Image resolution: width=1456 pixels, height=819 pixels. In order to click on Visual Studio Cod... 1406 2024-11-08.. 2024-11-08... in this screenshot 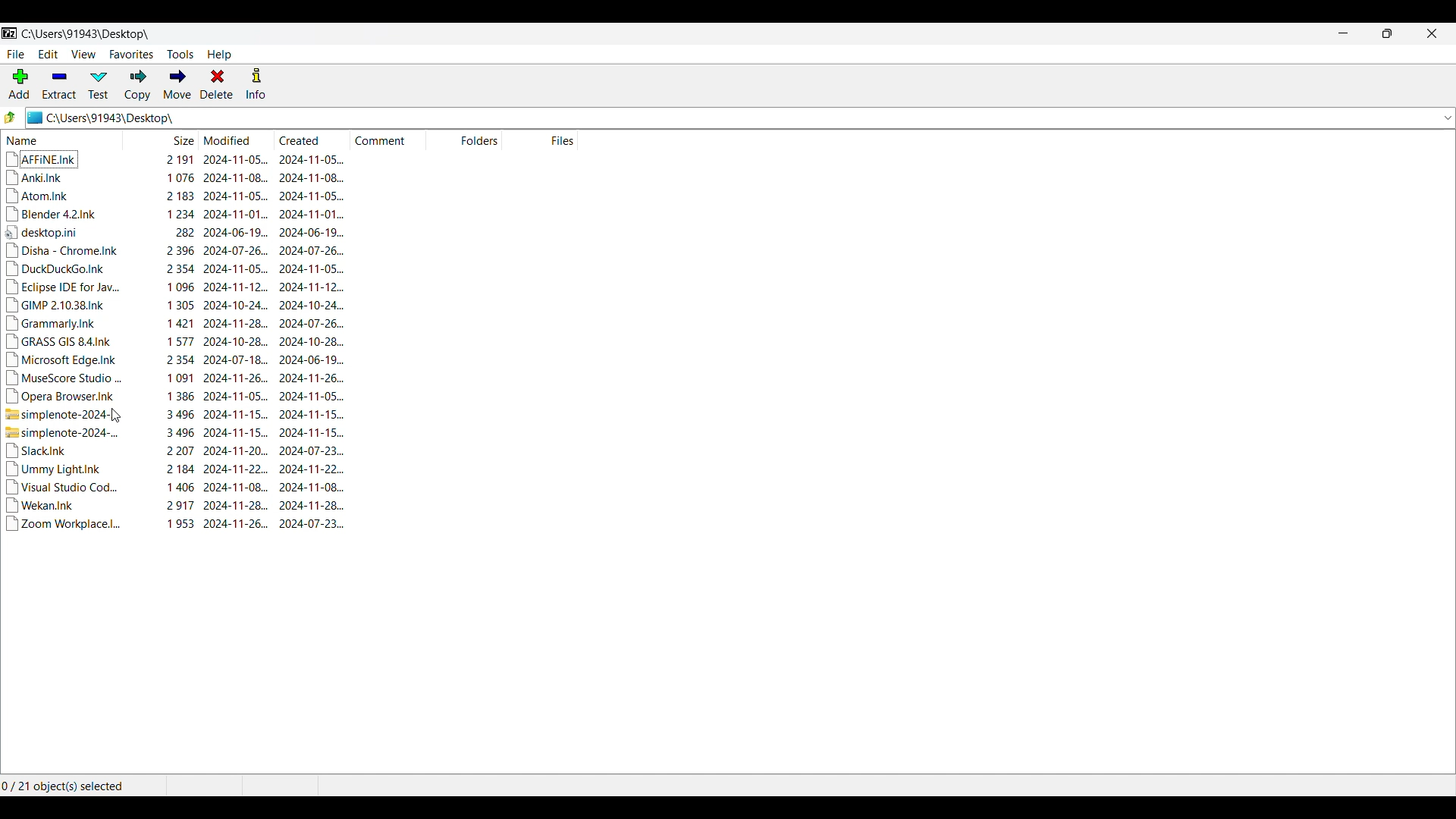, I will do `click(180, 487)`.